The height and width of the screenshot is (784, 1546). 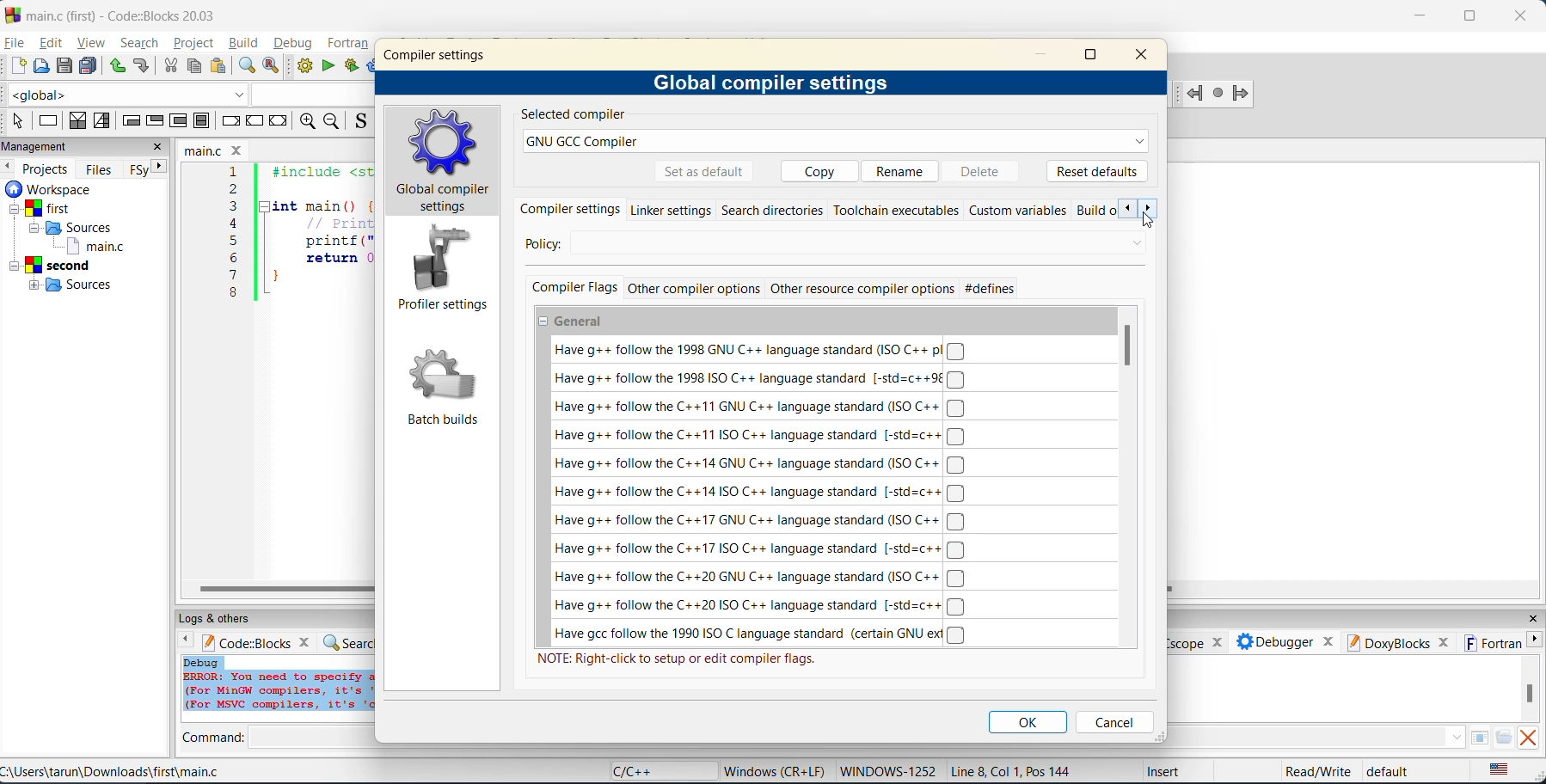 I want to click on other compiler options, so click(x=693, y=289).